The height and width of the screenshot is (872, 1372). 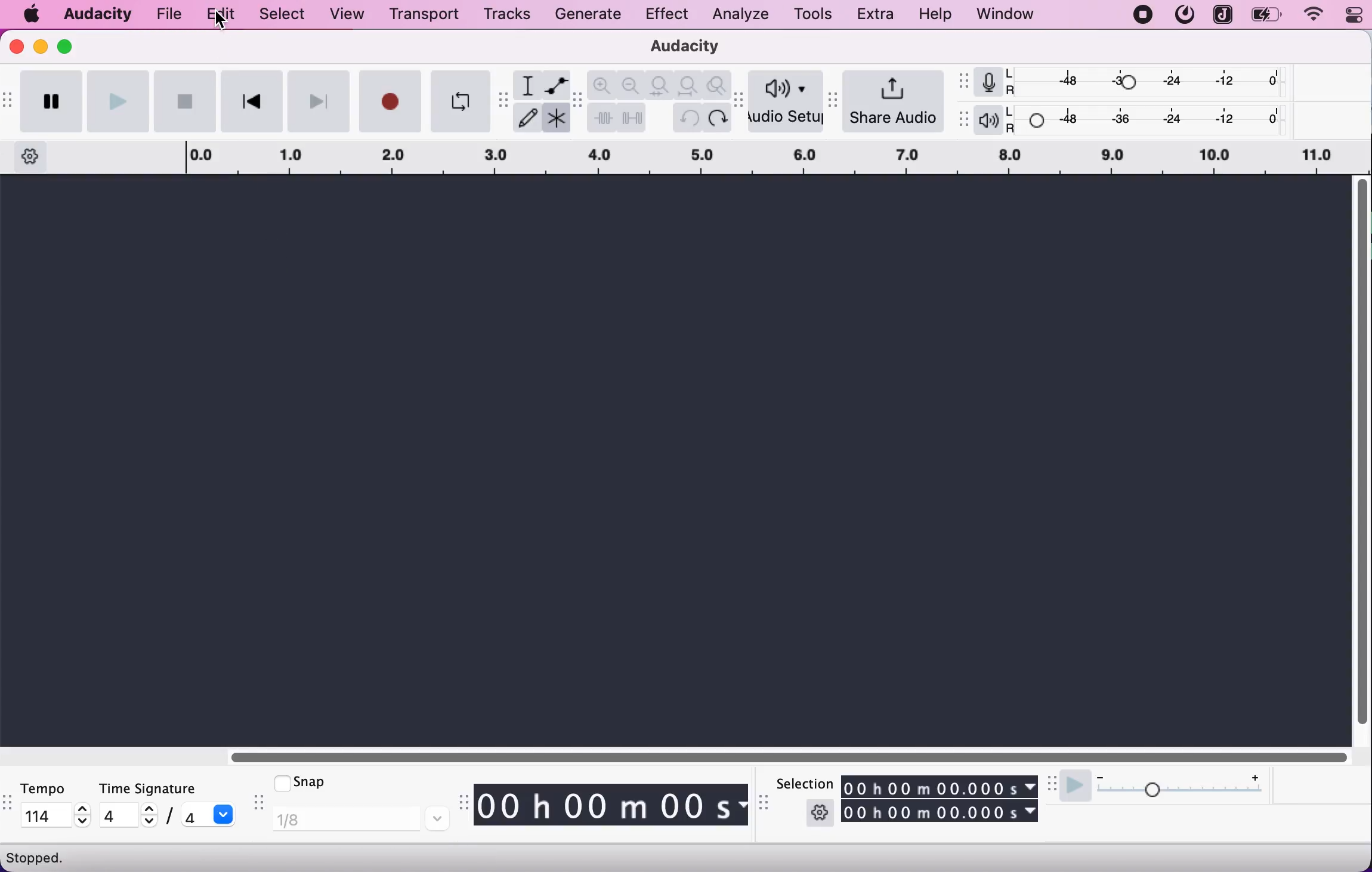 What do you see at coordinates (941, 786) in the screenshot?
I see `track timing` at bounding box center [941, 786].